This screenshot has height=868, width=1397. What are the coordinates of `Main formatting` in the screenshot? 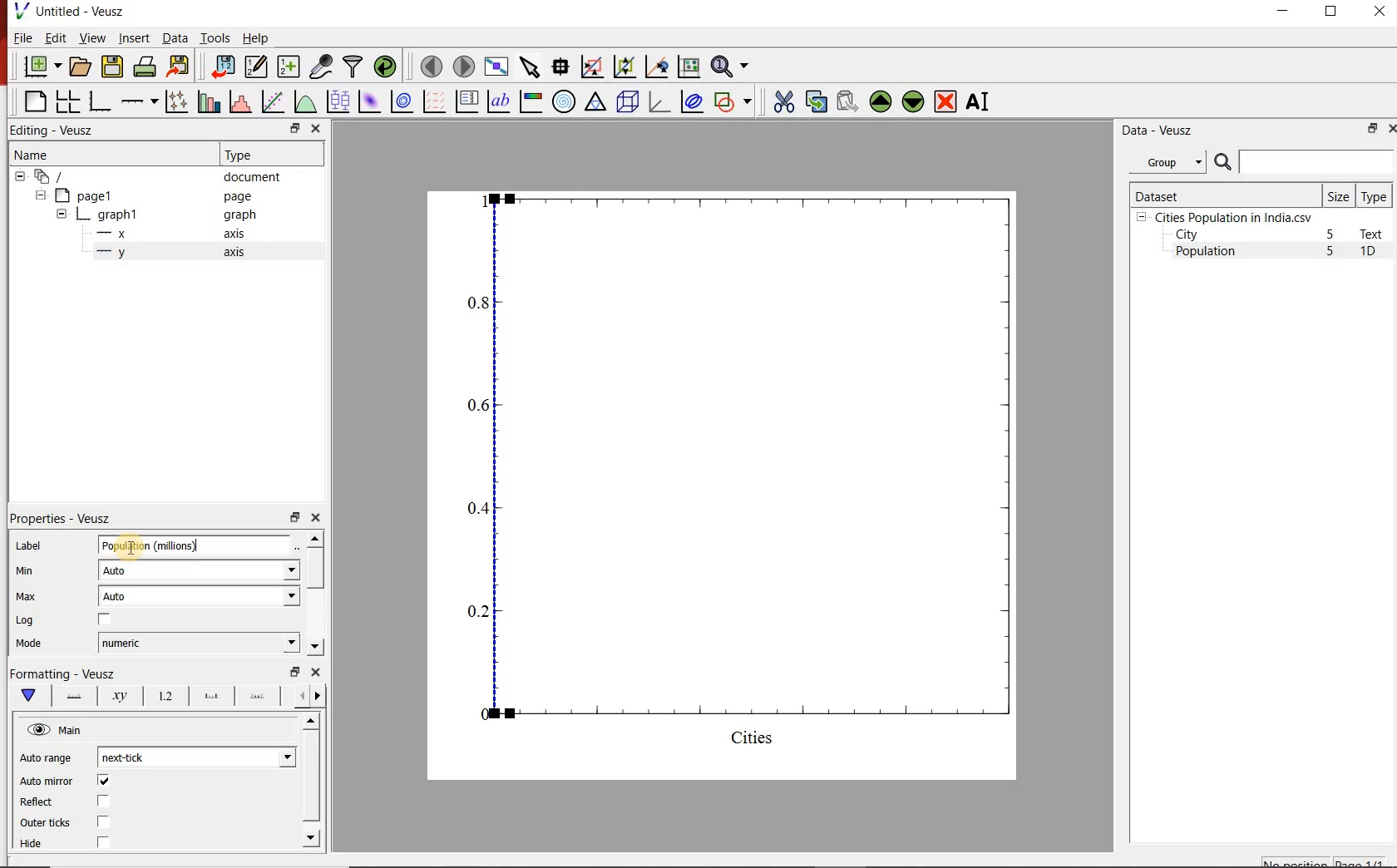 It's located at (32, 696).